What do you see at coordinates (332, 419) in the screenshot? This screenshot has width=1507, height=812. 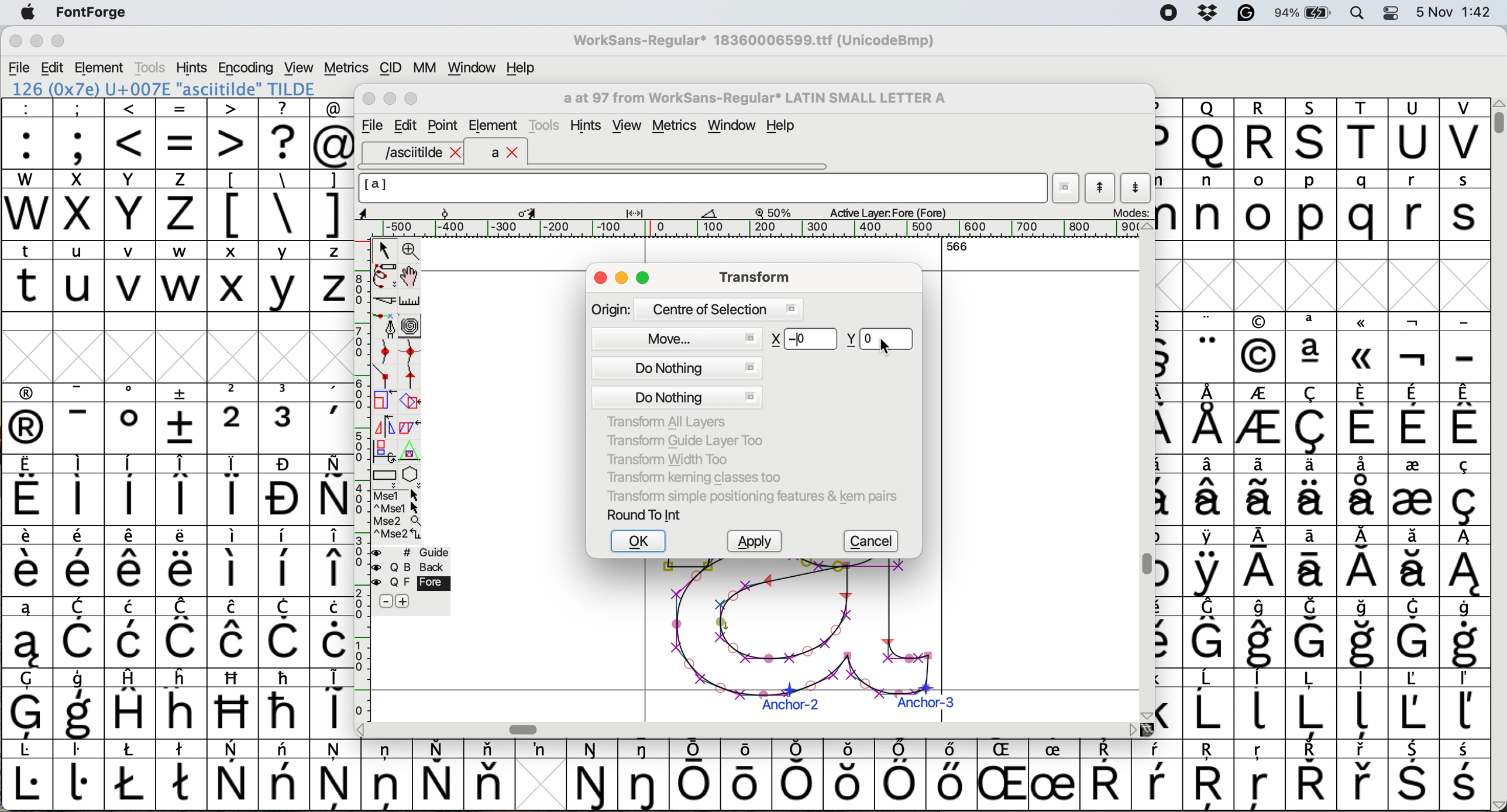 I see `symbol` at bounding box center [332, 419].